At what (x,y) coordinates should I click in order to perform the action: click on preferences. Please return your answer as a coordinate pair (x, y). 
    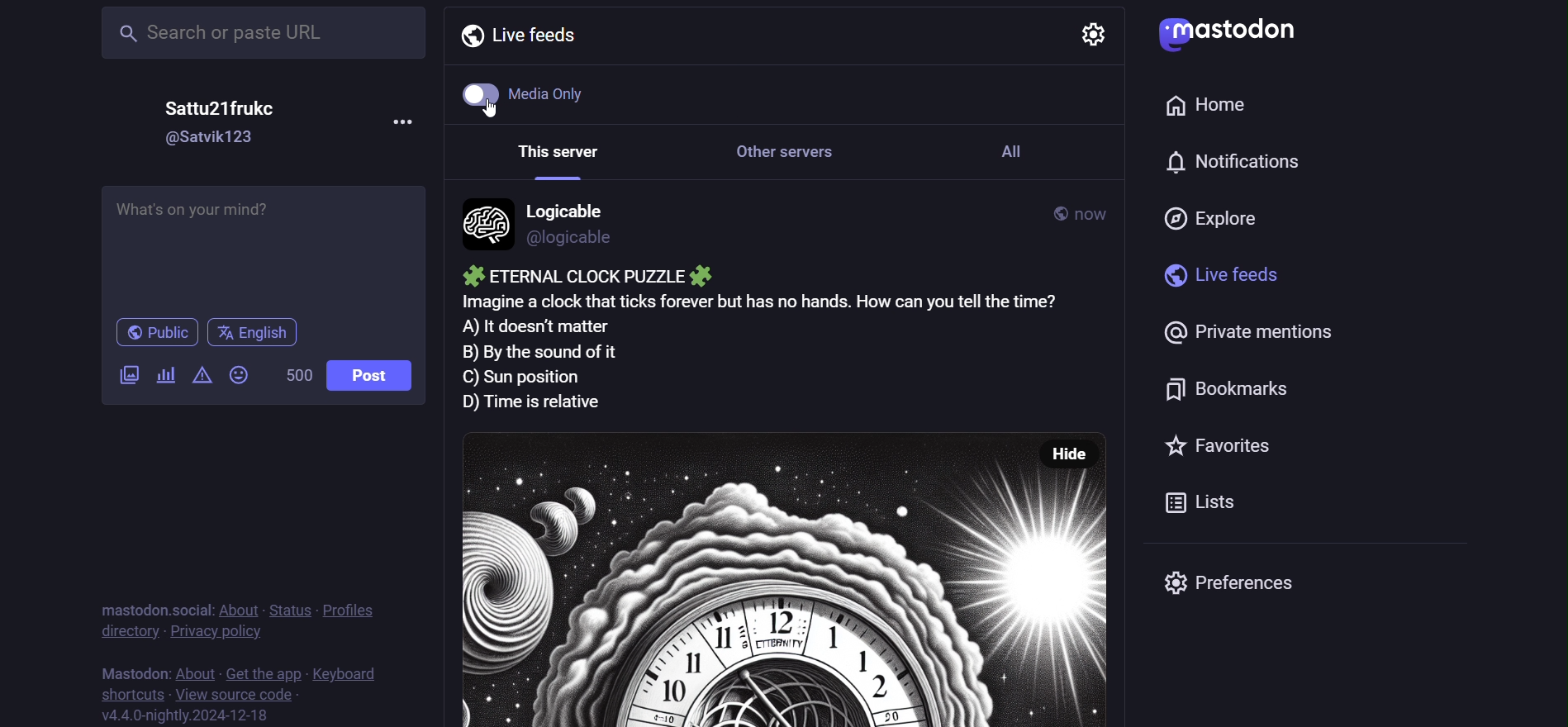
    Looking at the image, I should click on (1236, 584).